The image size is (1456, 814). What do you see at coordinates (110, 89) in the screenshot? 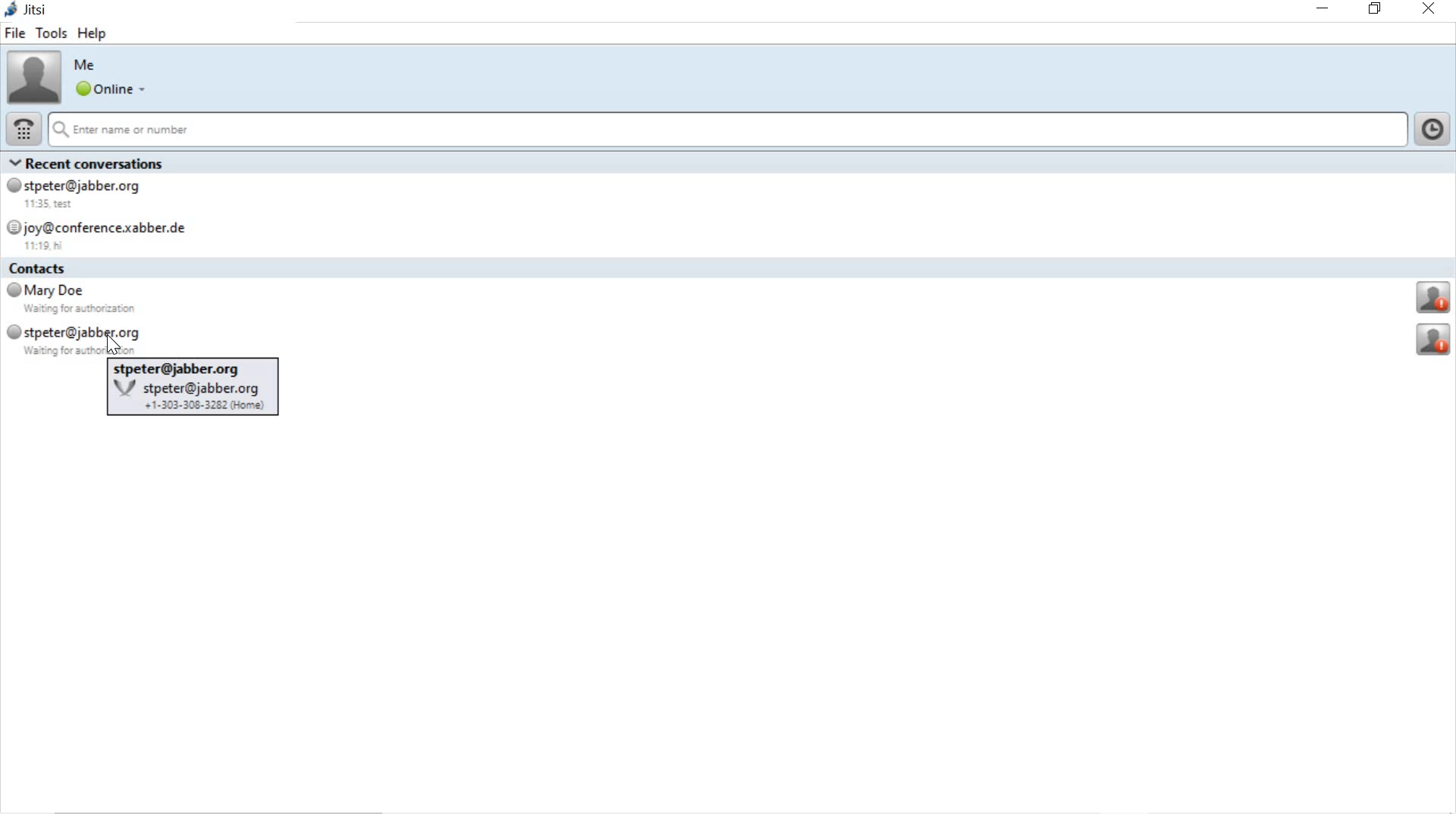
I see `online` at bounding box center [110, 89].